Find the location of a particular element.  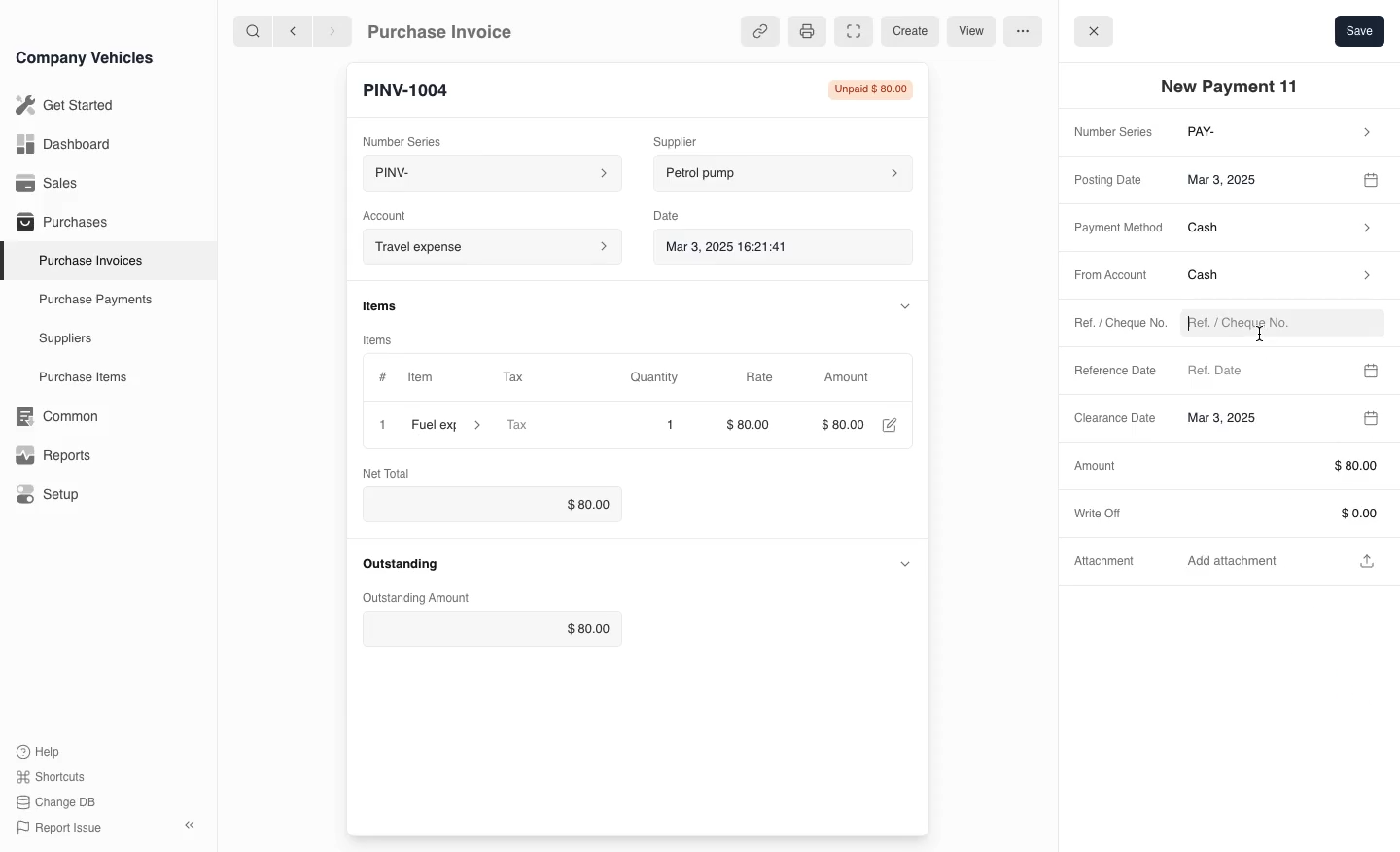

Rate is located at coordinates (757, 377).